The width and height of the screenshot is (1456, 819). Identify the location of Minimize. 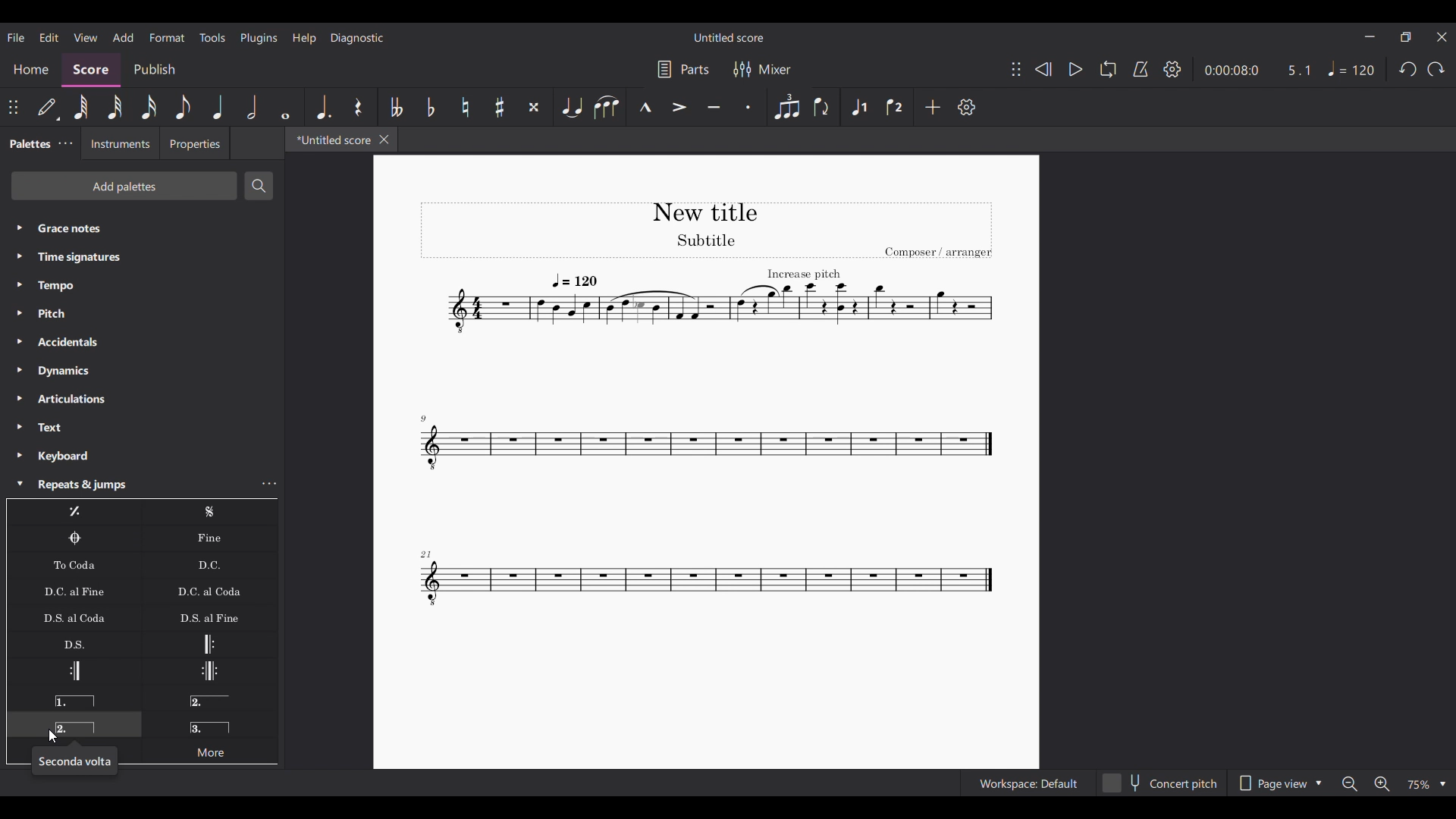
(1370, 36).